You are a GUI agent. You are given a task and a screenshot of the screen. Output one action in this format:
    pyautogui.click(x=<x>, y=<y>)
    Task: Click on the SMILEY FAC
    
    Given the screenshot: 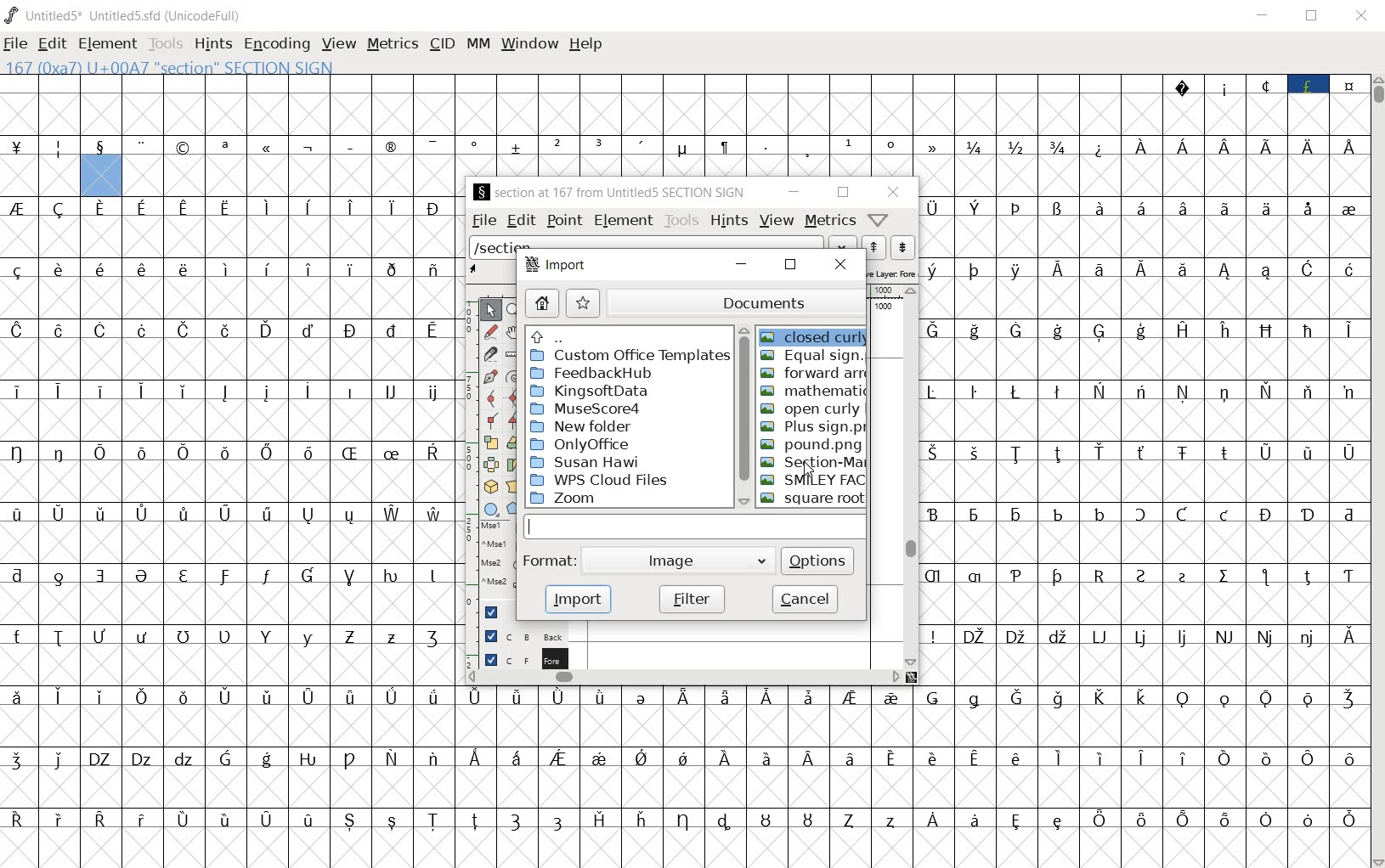 What is the action you would take?
    pyautogui.click(x=813, y=481)
    